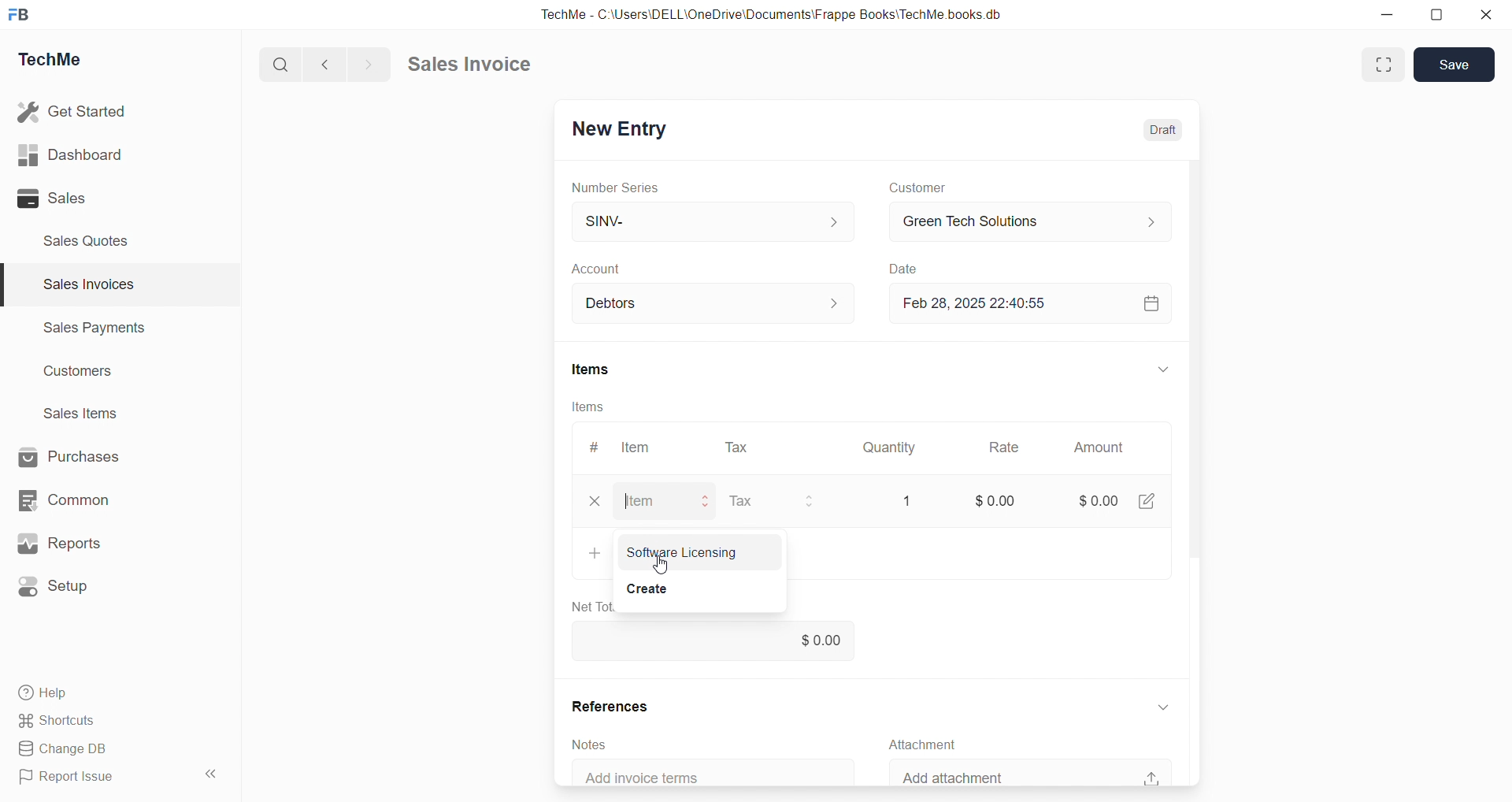 This screenshot has height=802, width=1512. Describe the element at coordinates (982, 303) in the screenshot. I see `Feb 28, 2025 22:40:55` at that location.